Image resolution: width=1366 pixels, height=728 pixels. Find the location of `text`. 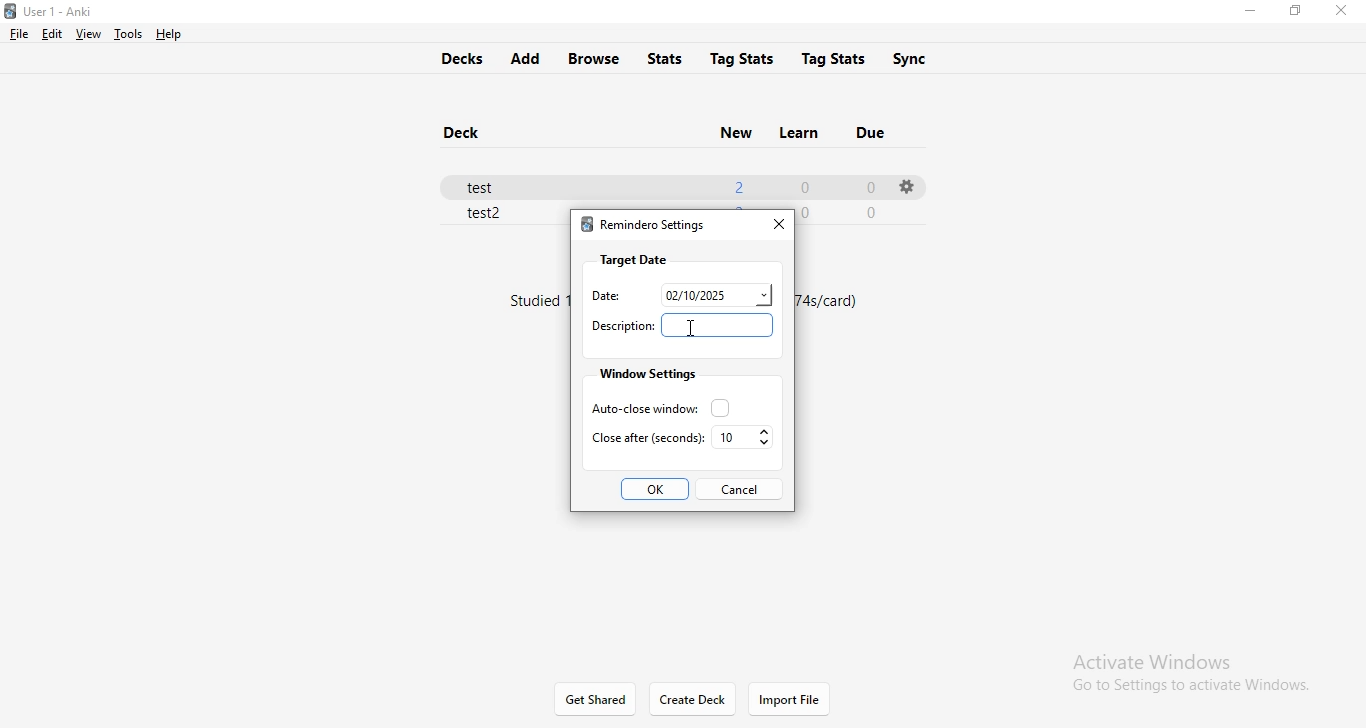

text is located at coordinates (827, 300).